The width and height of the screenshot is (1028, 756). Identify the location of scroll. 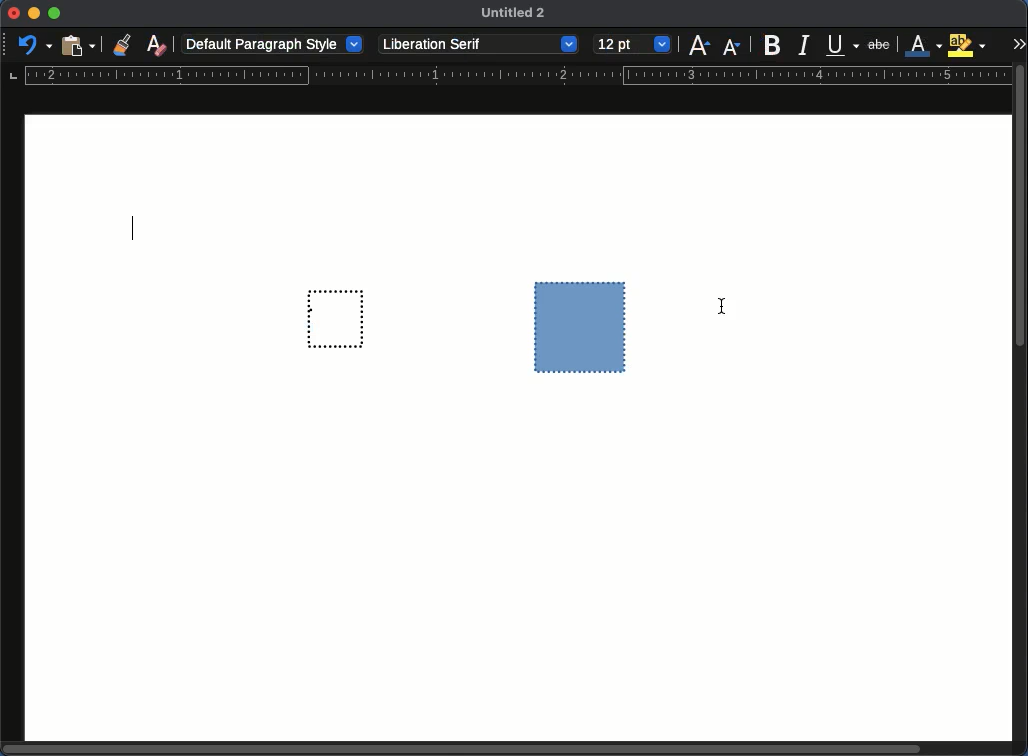
(1023, 404).